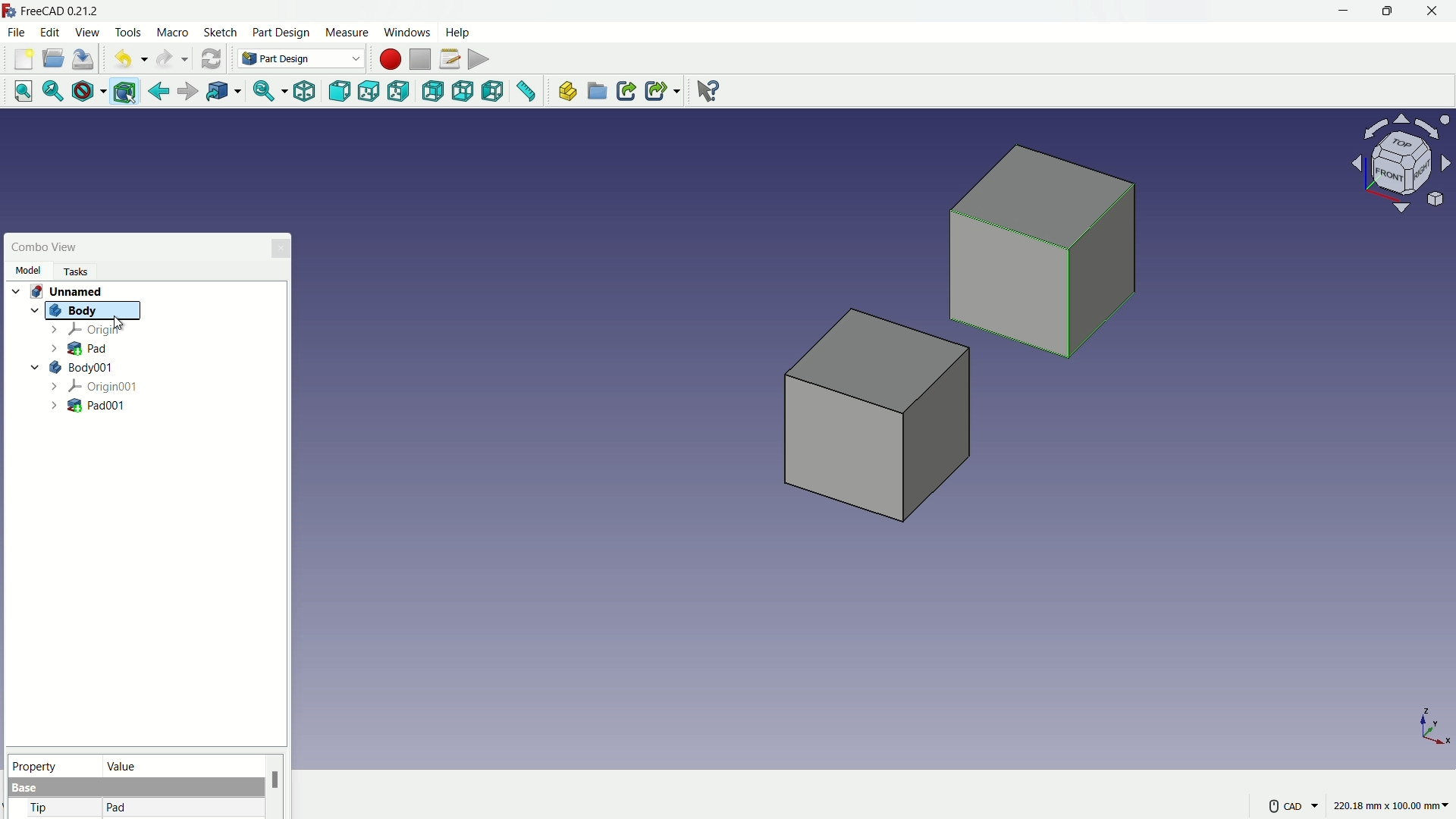 This screenshot has width=1456, height=819. Describe the element at coordinates (58, 247) in the screenshot. I see `Combo View` at that location.